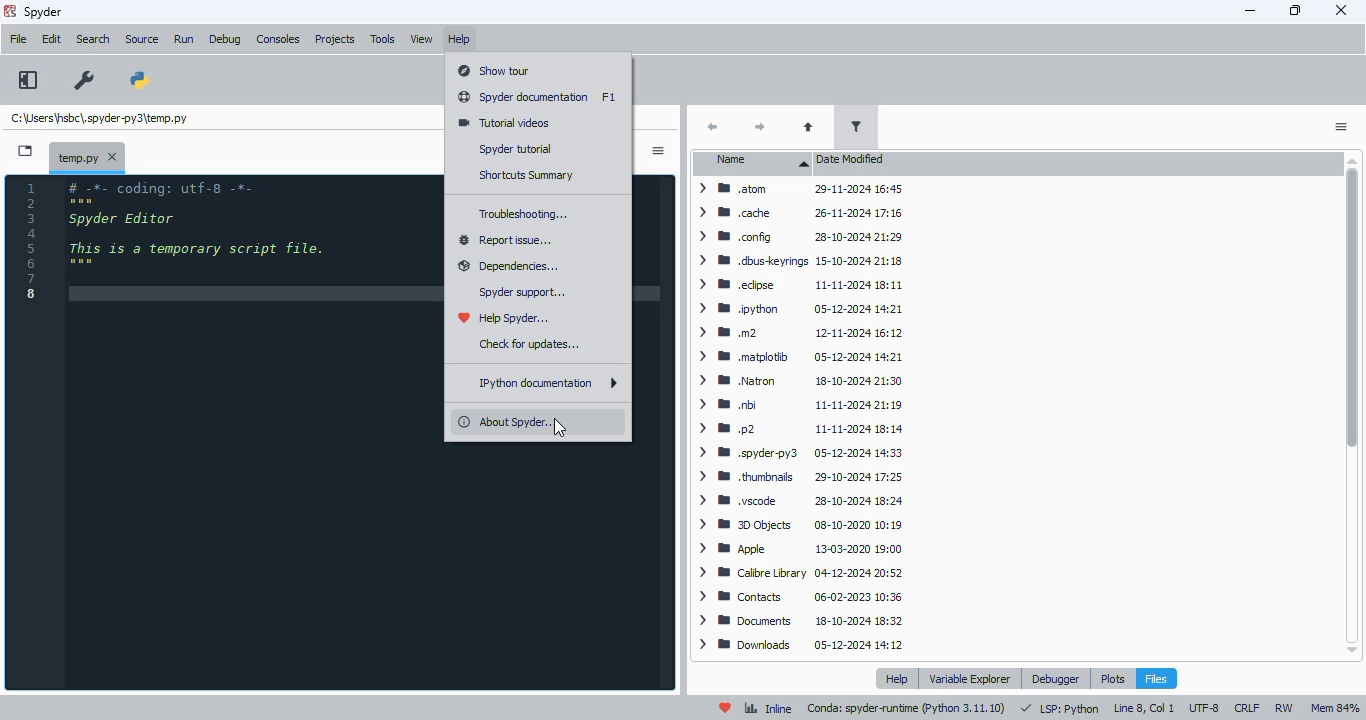  What do you see at coordinates (1255, 9) in the screenshot?
I see `minimize` at bounding box center [1255, 9].